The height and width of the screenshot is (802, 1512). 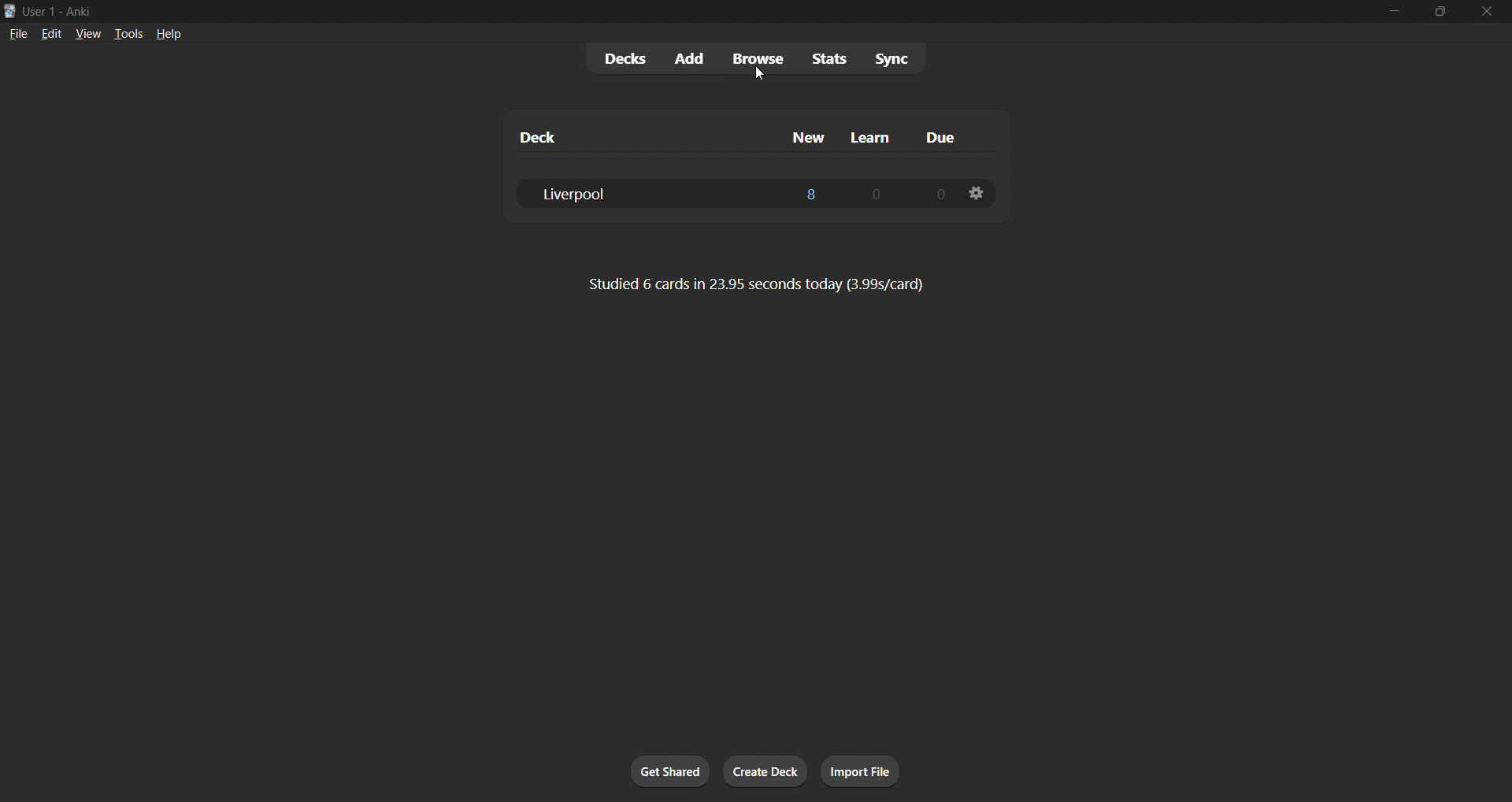 What do you see at coordinates (984, 195) in the screenshot?
I see `deck settings` at bounding box center [984, 195].